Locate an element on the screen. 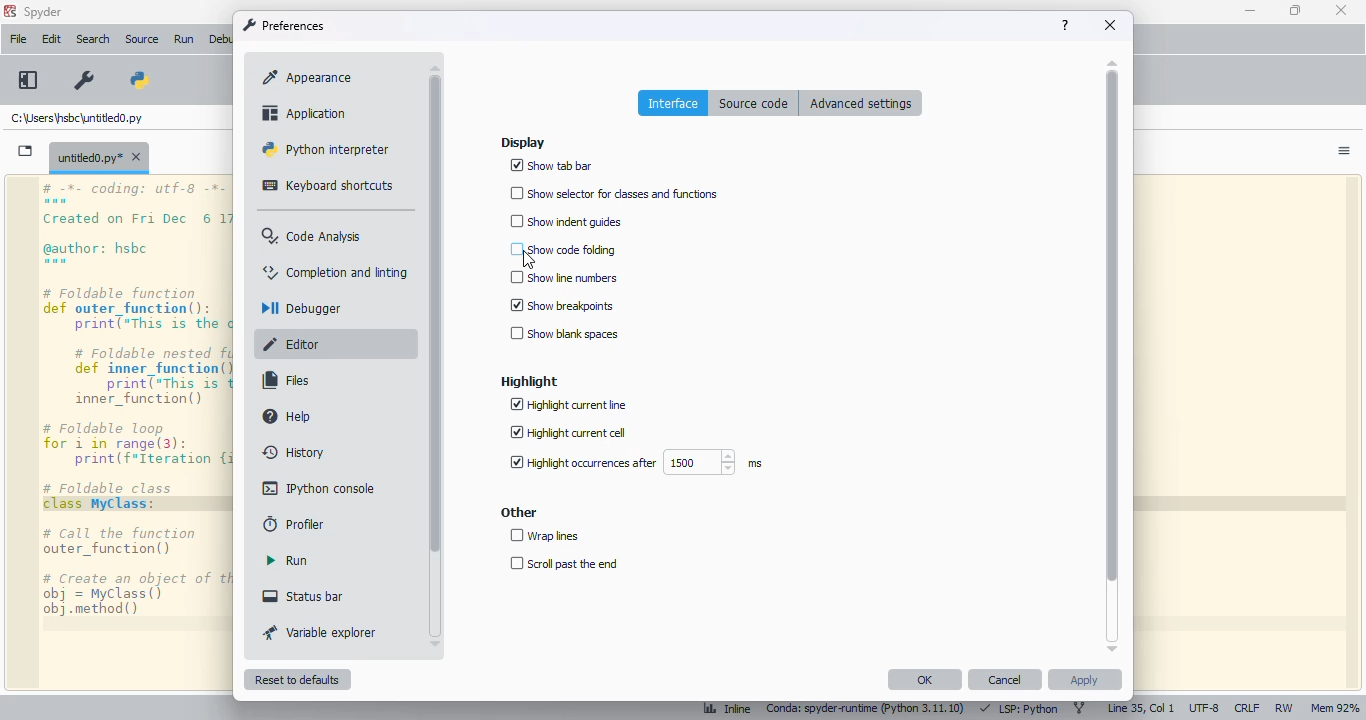 The image size is (1366, 720). search is located at coordinates (93, 39).